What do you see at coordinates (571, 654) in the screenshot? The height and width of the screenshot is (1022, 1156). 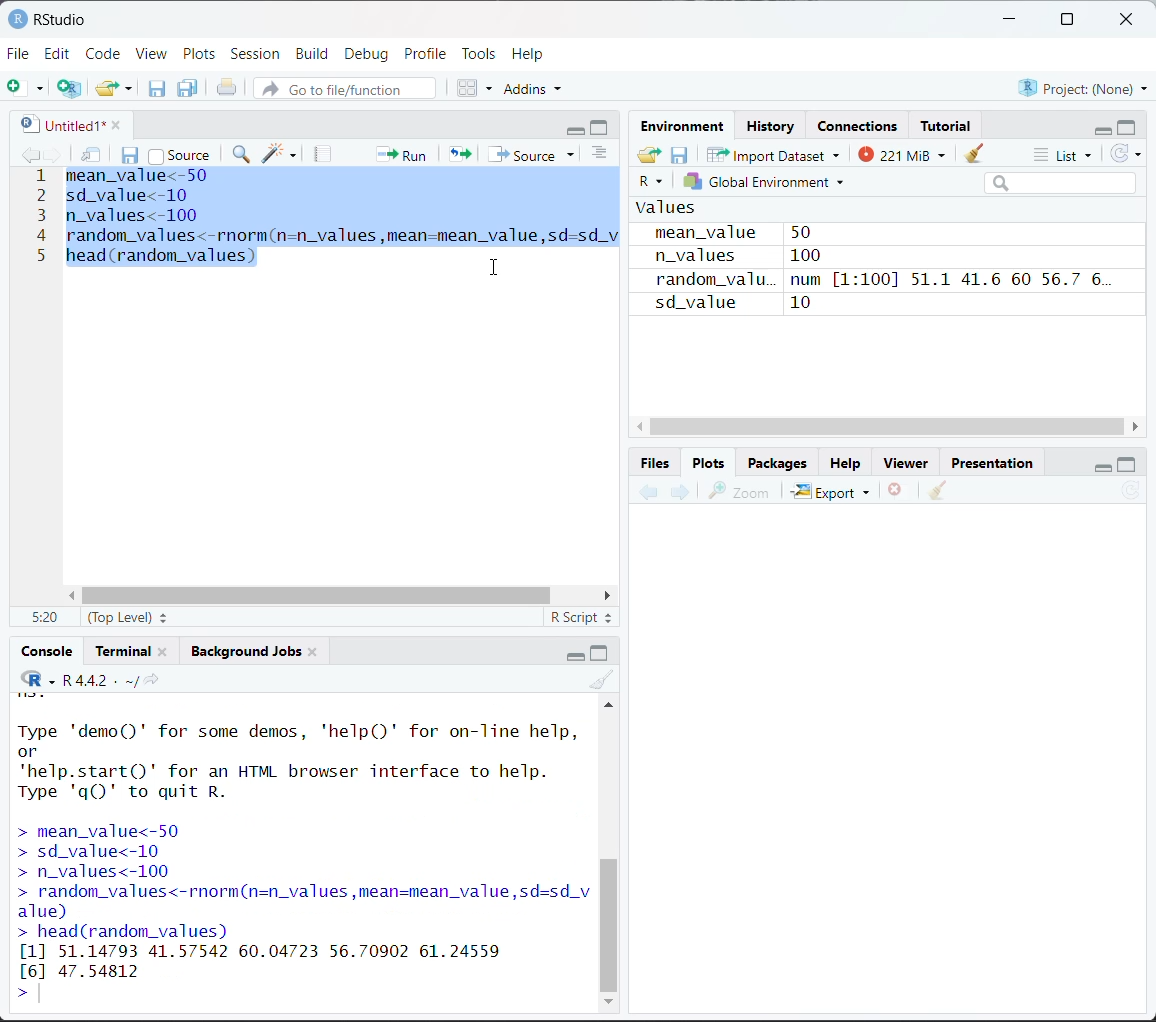 I see `minimize` at bounding box center [571, 654].